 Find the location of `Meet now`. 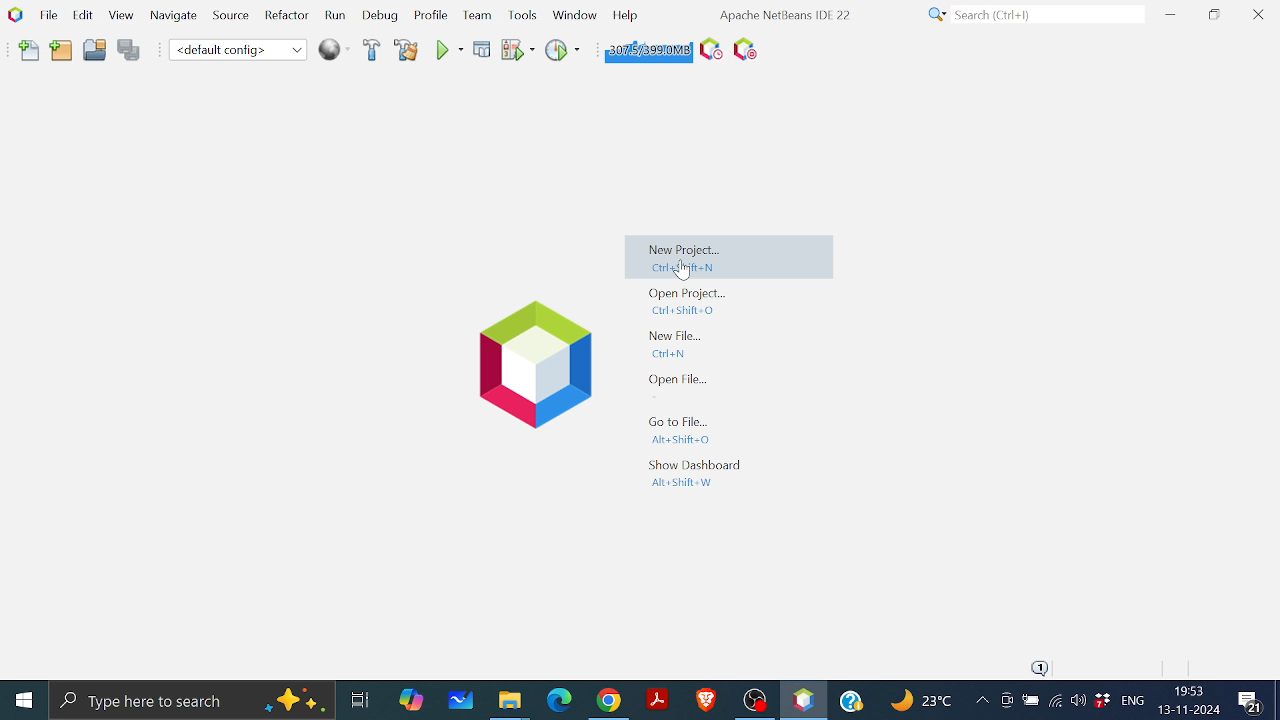

Meet now is located at coordinates (1006, 703).